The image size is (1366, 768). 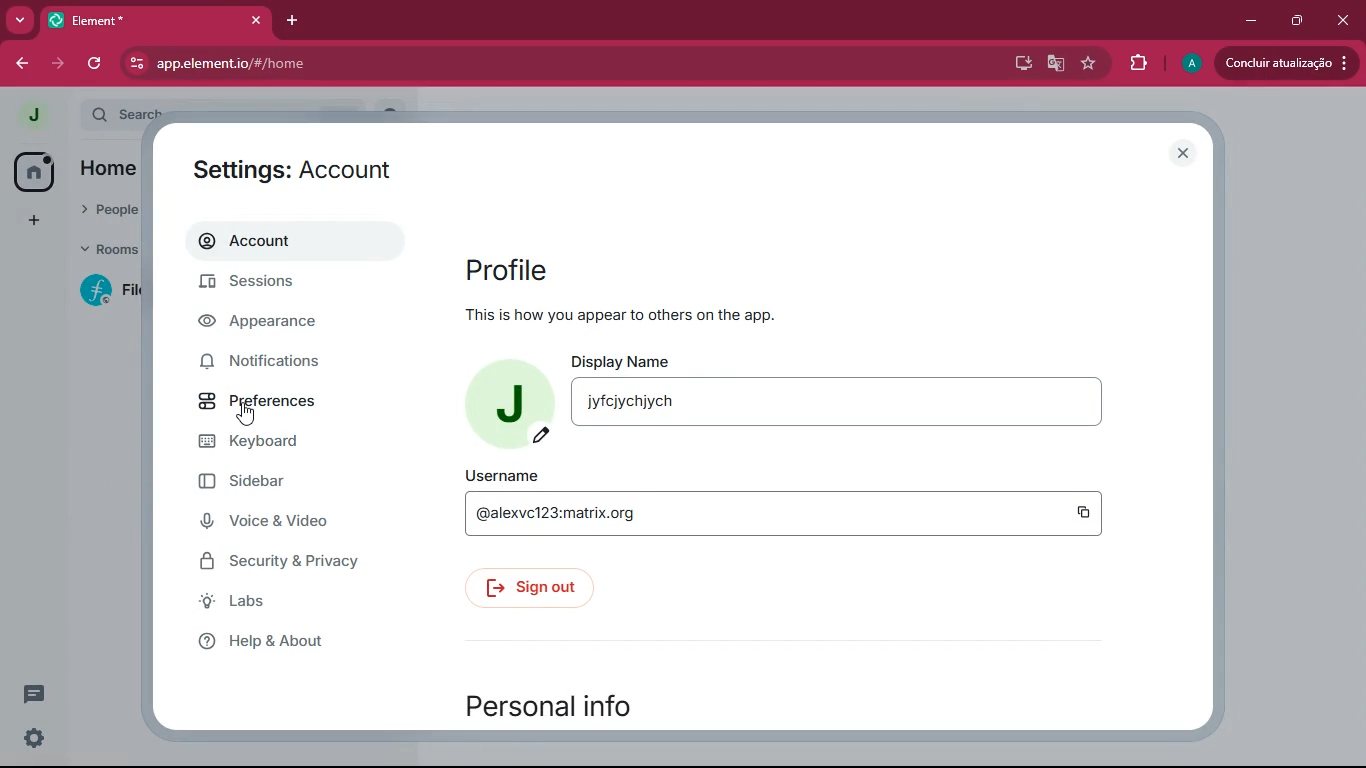 I want to click on settings, so click(x=32, y=738).